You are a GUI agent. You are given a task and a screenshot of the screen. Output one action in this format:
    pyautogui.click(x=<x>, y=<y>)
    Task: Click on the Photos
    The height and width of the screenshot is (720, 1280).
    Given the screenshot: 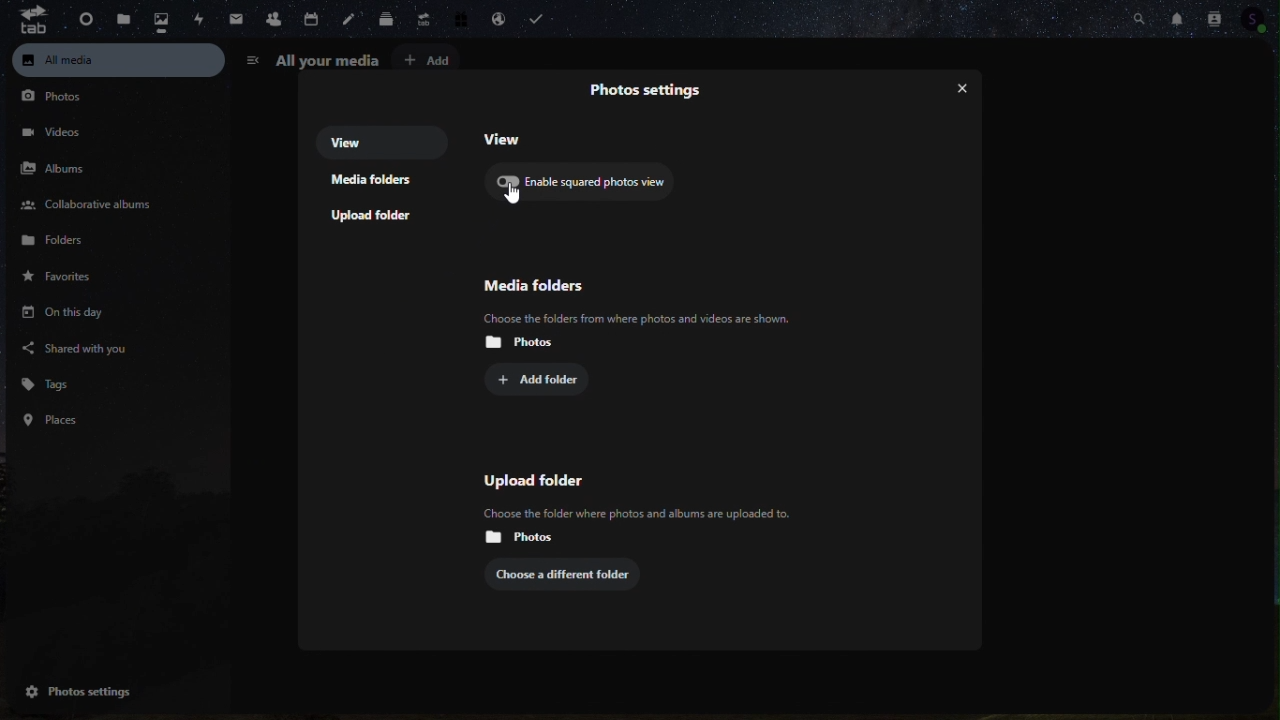 What is the action you would take?
    pyautogui.click(x=517, y=537)
    